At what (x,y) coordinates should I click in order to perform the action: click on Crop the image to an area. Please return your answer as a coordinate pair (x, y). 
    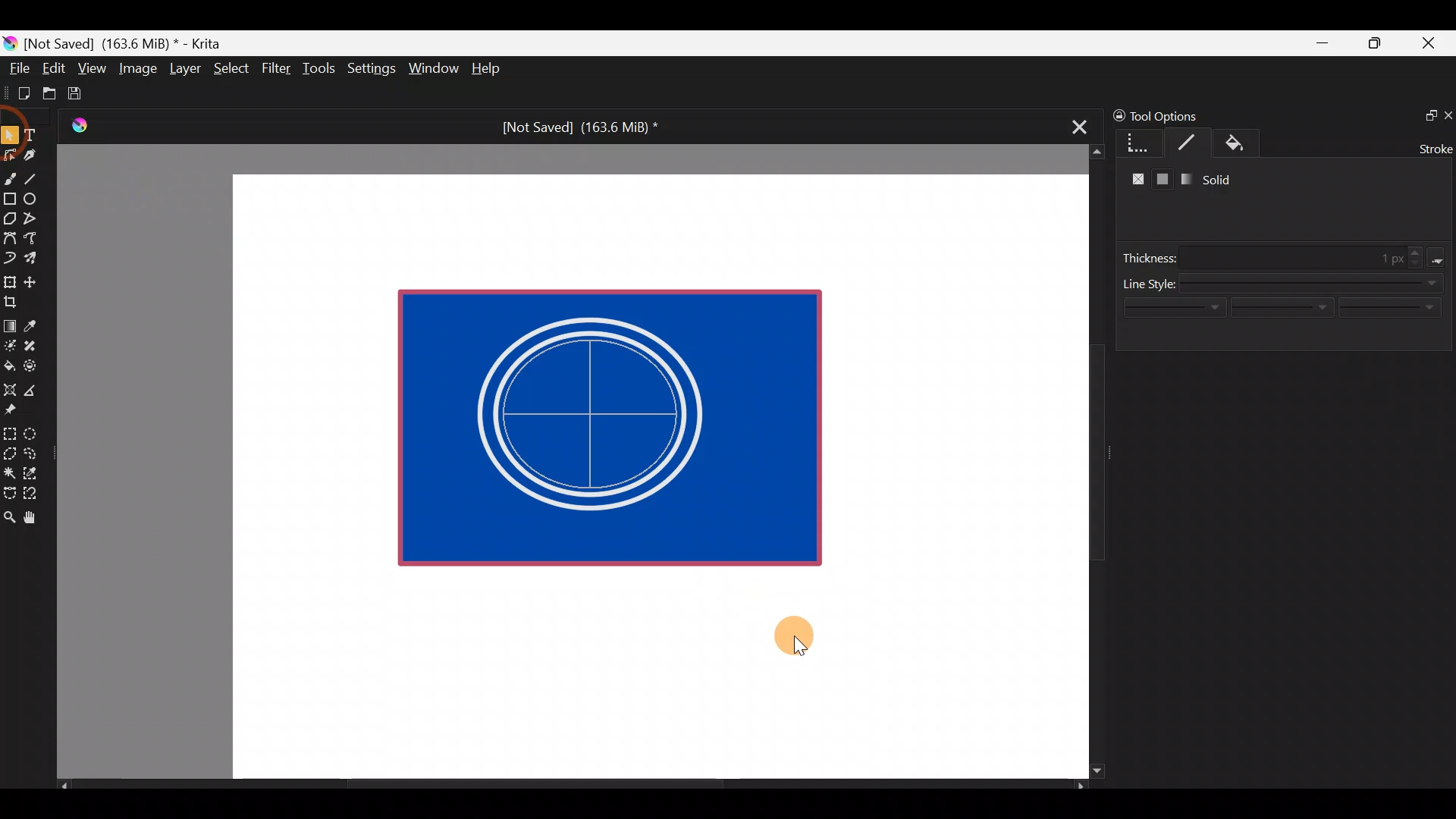
    Looking at the image, I should click on (15, 301).